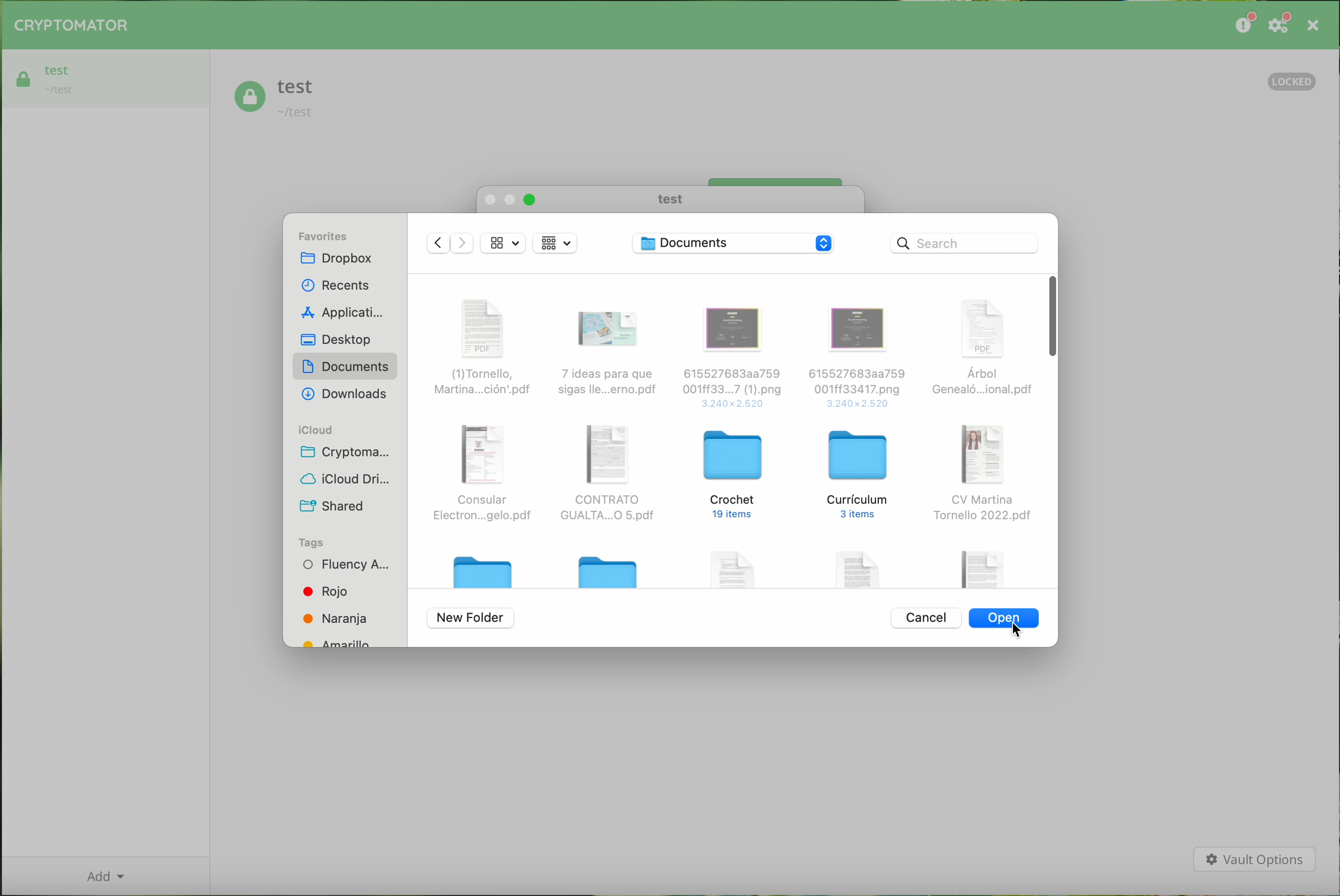  I want to click on pdf file, so click(608, 355).